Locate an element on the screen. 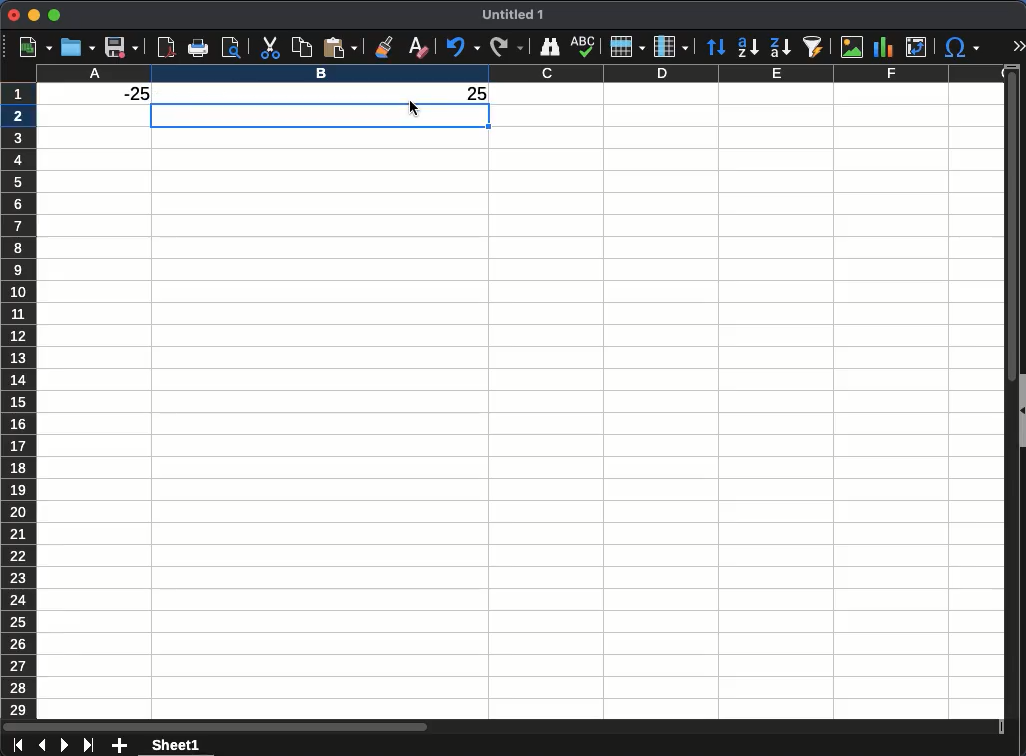 The height and width of the screenshot is (756, 1026). clear formatting is located at coordinates (415, 45).